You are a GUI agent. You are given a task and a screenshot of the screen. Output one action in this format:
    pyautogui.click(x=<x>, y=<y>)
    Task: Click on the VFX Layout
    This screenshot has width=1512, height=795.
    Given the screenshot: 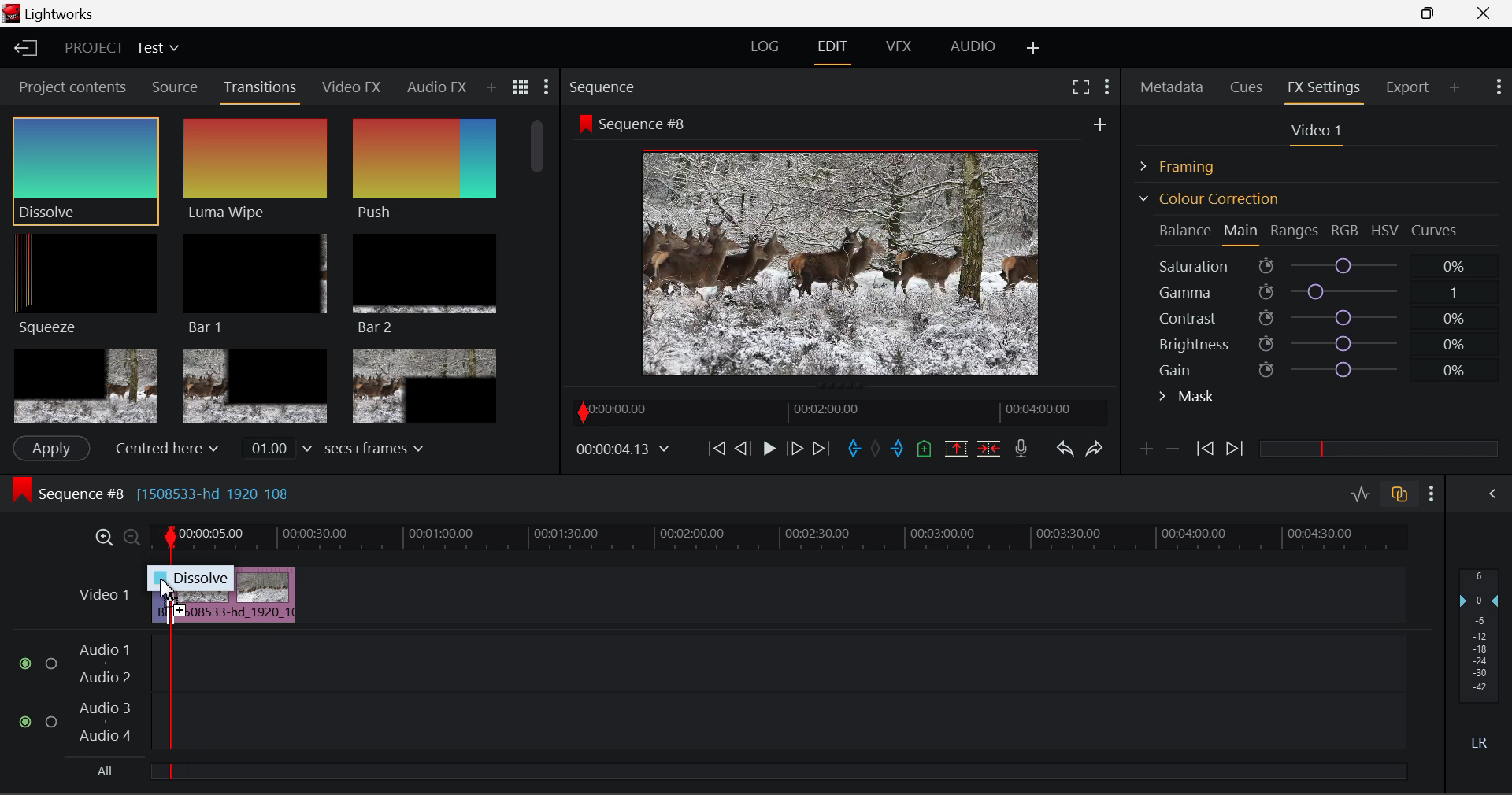 What is the action you would take?
    pyautogui.click(x=902, y=48)
    